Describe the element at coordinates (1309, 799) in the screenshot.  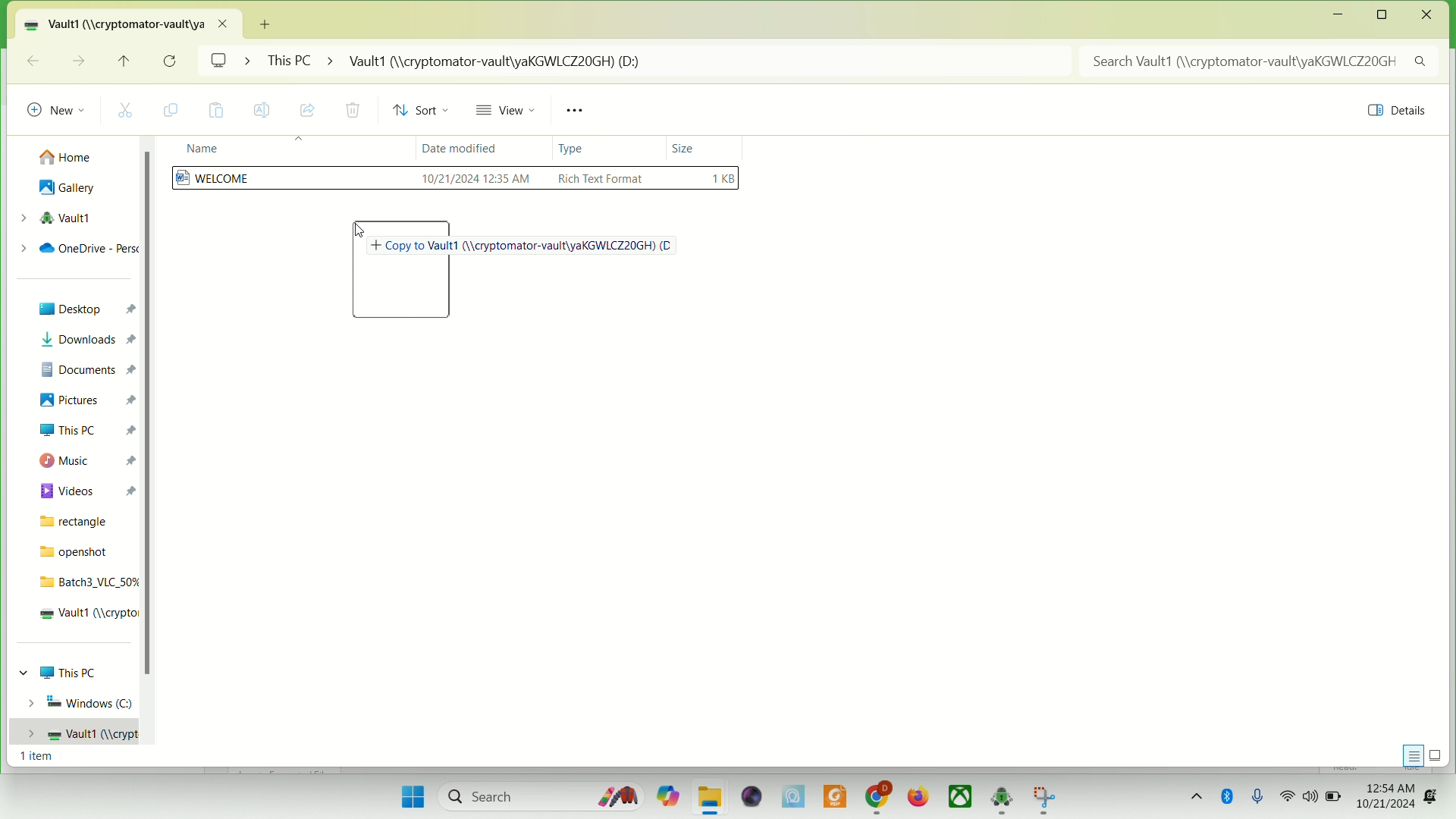
I see `speaker` at that location.